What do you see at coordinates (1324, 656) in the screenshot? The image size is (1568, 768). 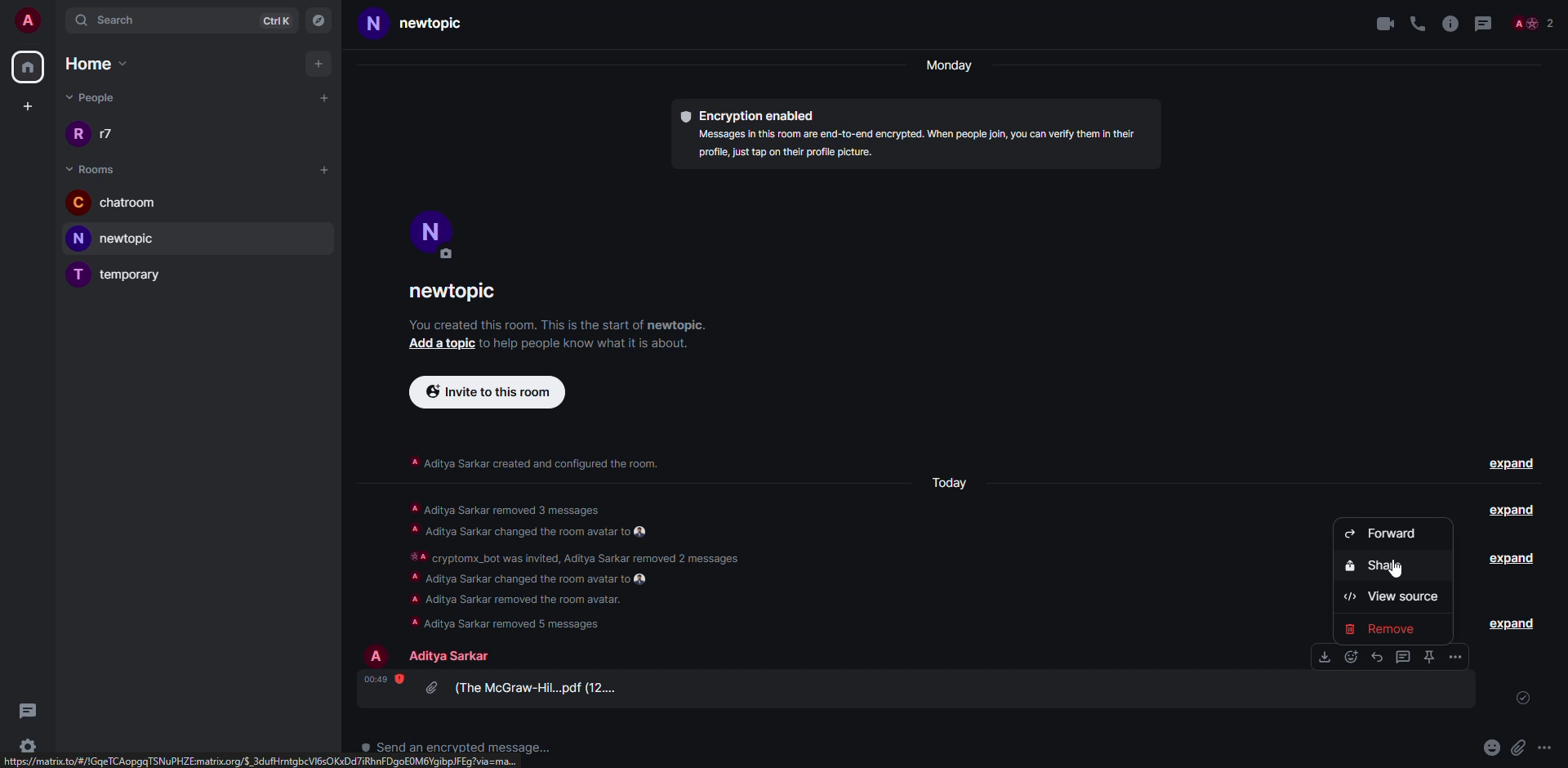 I see `downloads` at bounding box center [1324, 656].